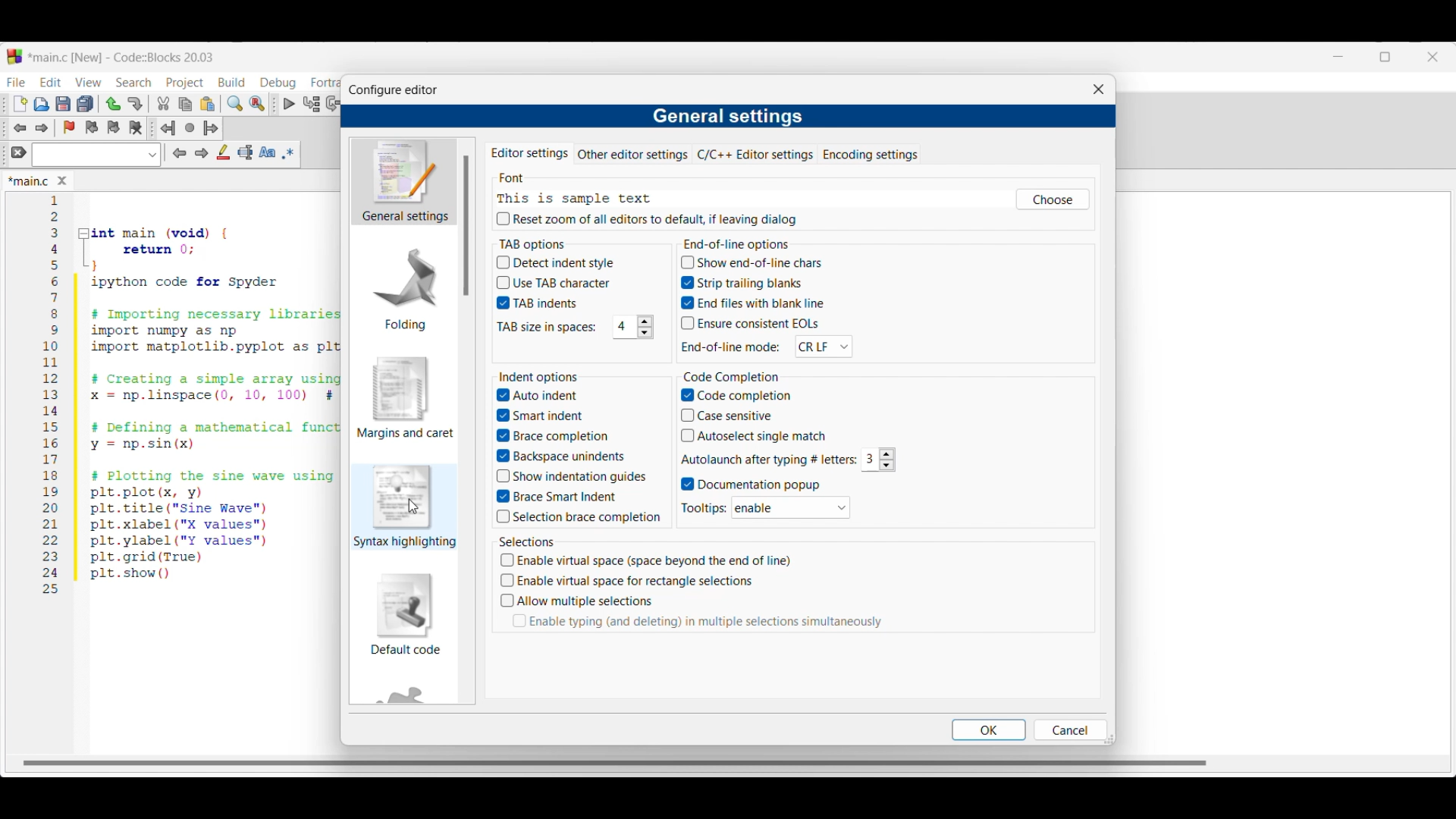  Describe the element at coordinates (312, 103) in the screenshot. I see `Run to cursor` at that location.